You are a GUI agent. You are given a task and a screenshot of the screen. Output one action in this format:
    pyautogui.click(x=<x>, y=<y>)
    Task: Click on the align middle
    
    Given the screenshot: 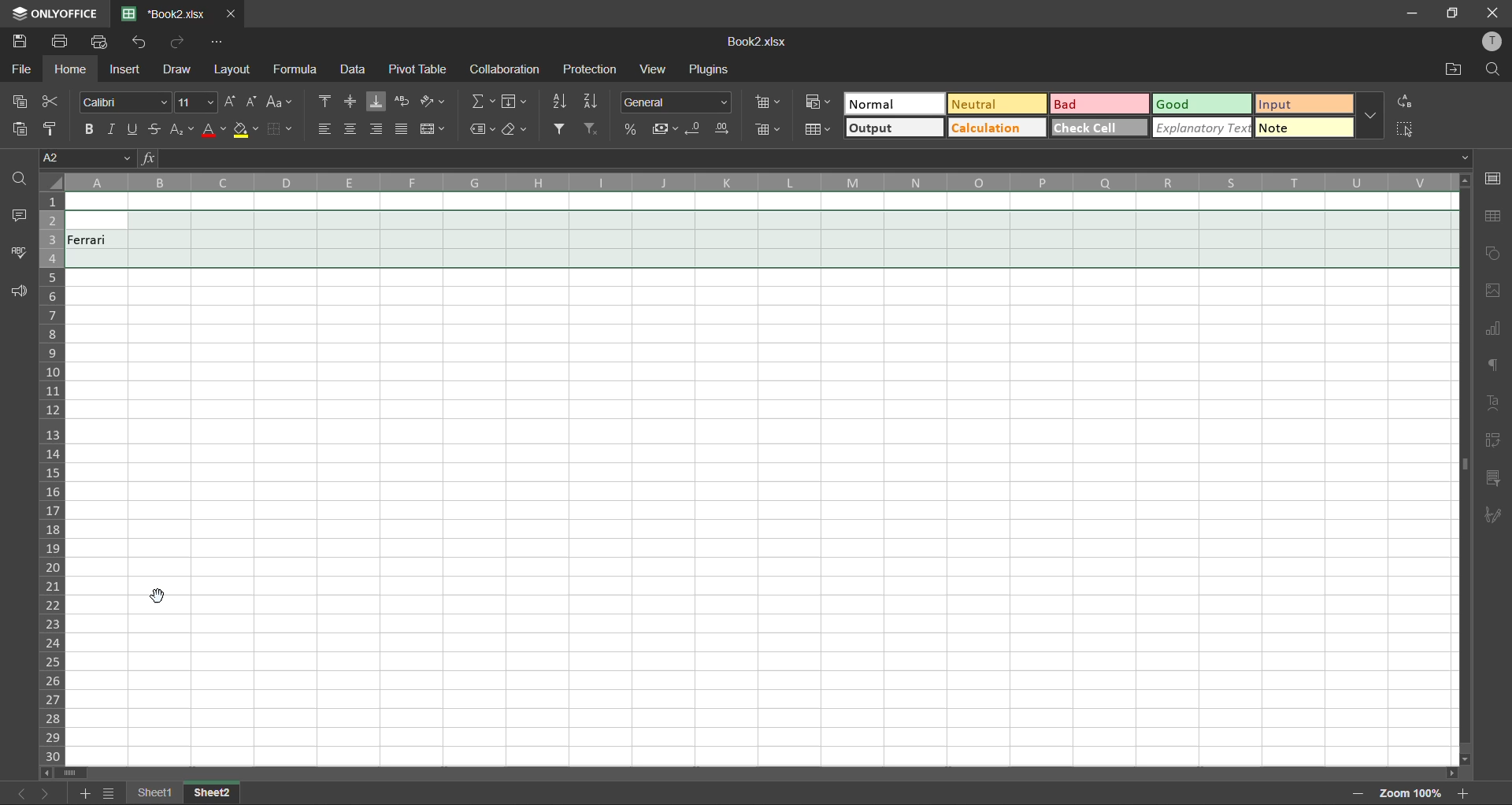 What is the action you would take?
    pyautogui.click(x=351, y=99)
    